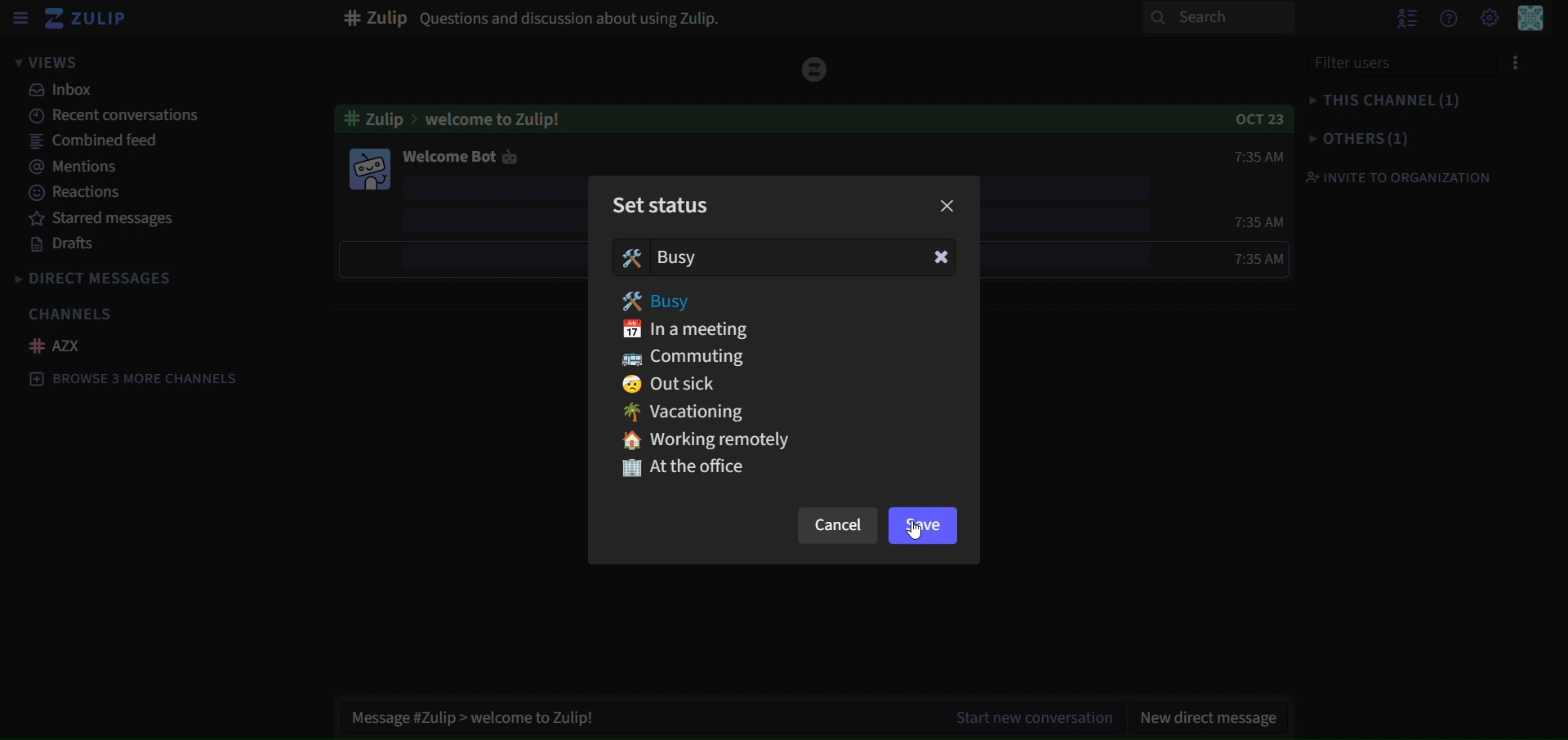 Image resolution: width=1568 pixels, height=740 pixels. What do you see at coordinates (666, 257) in the screenshot?
I see `busy` at bounding box center [666, 257].